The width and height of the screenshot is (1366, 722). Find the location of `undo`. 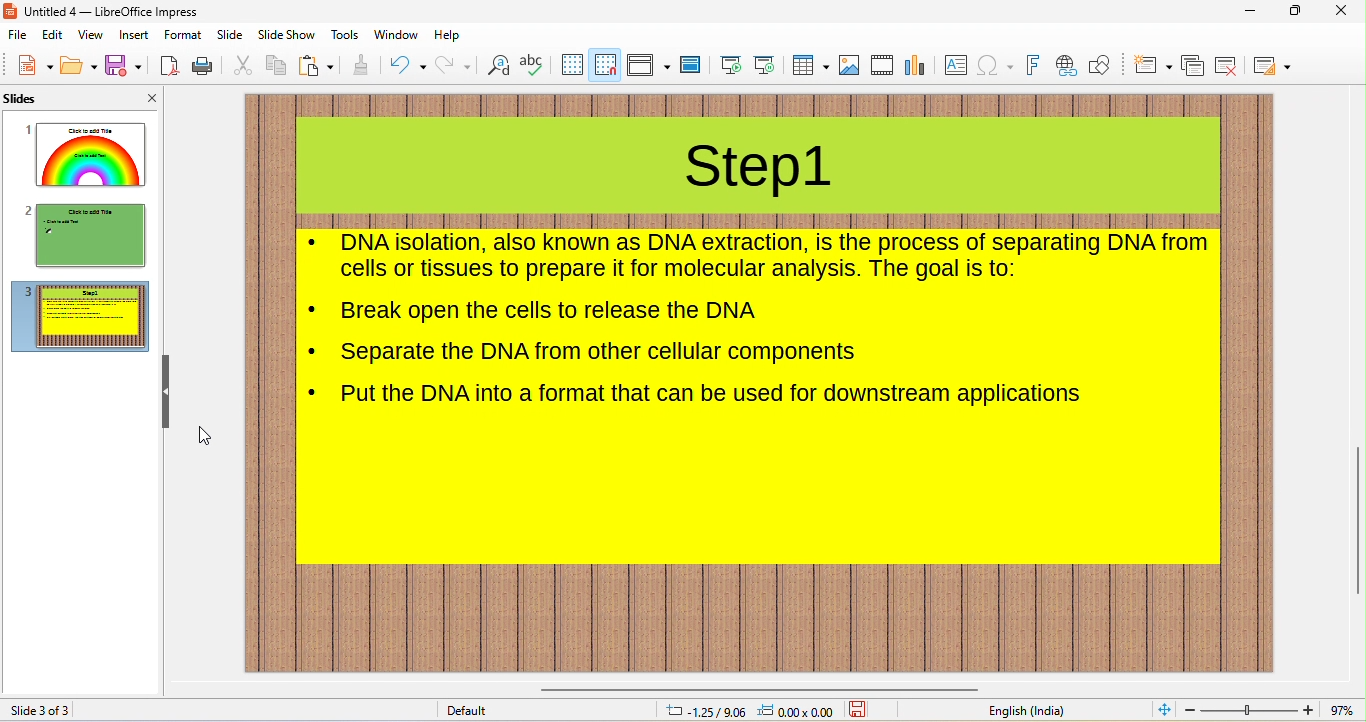

undo is located at coordinates (408, 64).